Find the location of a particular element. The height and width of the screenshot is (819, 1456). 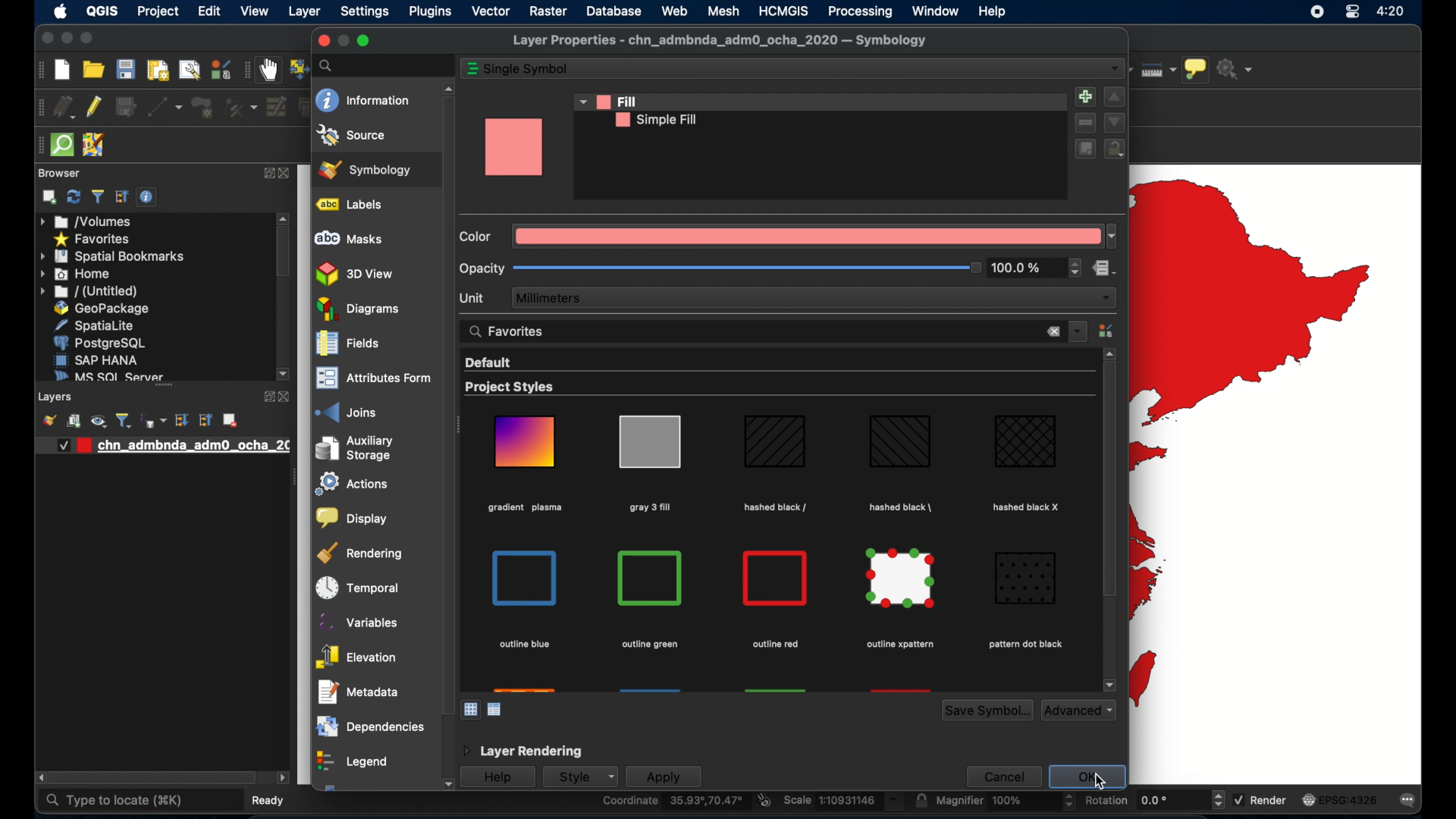

Gradient preview  is located at coordinates (776, 579).